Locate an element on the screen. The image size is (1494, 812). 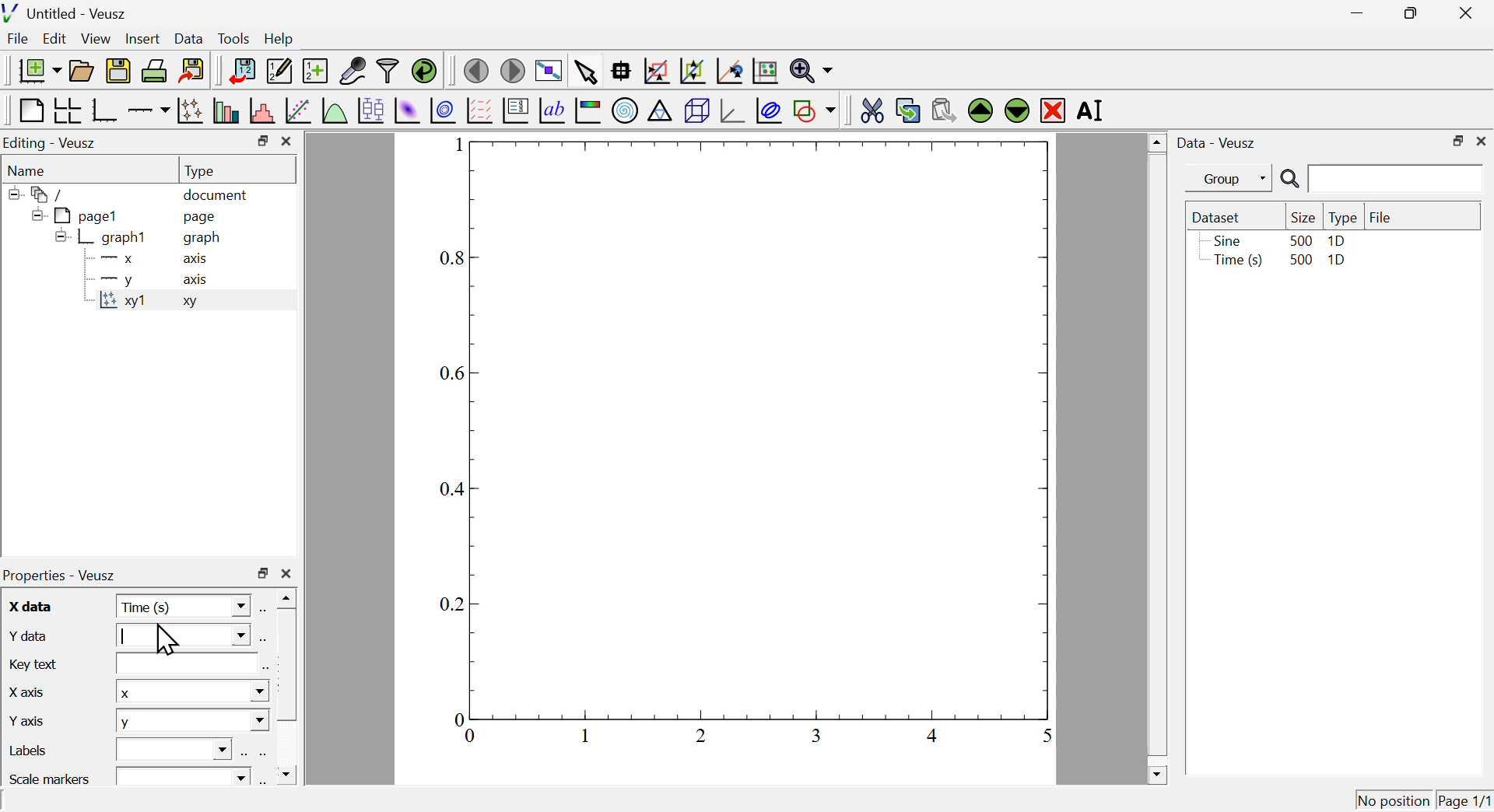
zoom functions is located at coordinates (811, 71).